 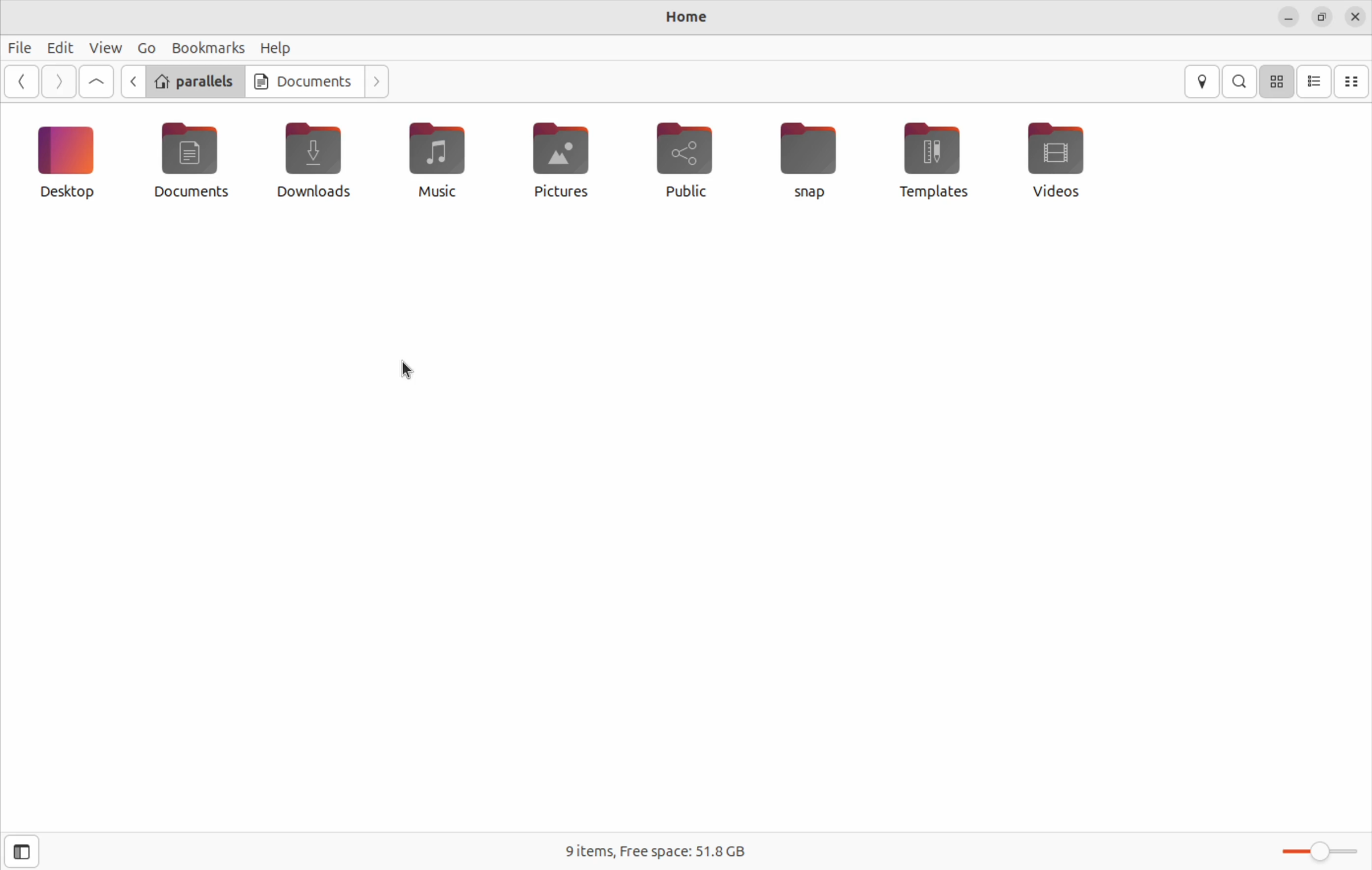 I want to click on Pictures file, so click(x=314, y=160).